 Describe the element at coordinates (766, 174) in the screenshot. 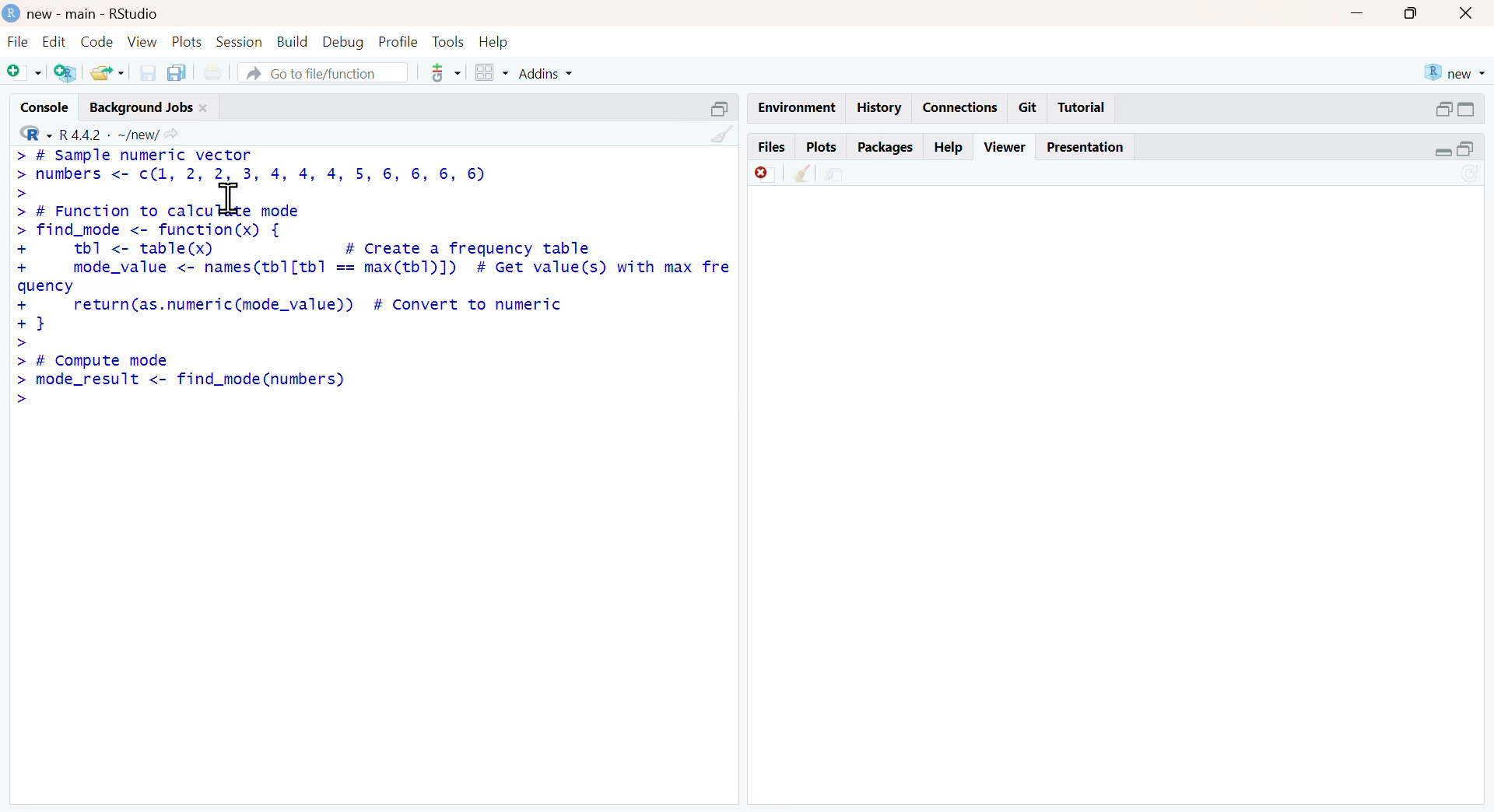

I see `discard` at that location.